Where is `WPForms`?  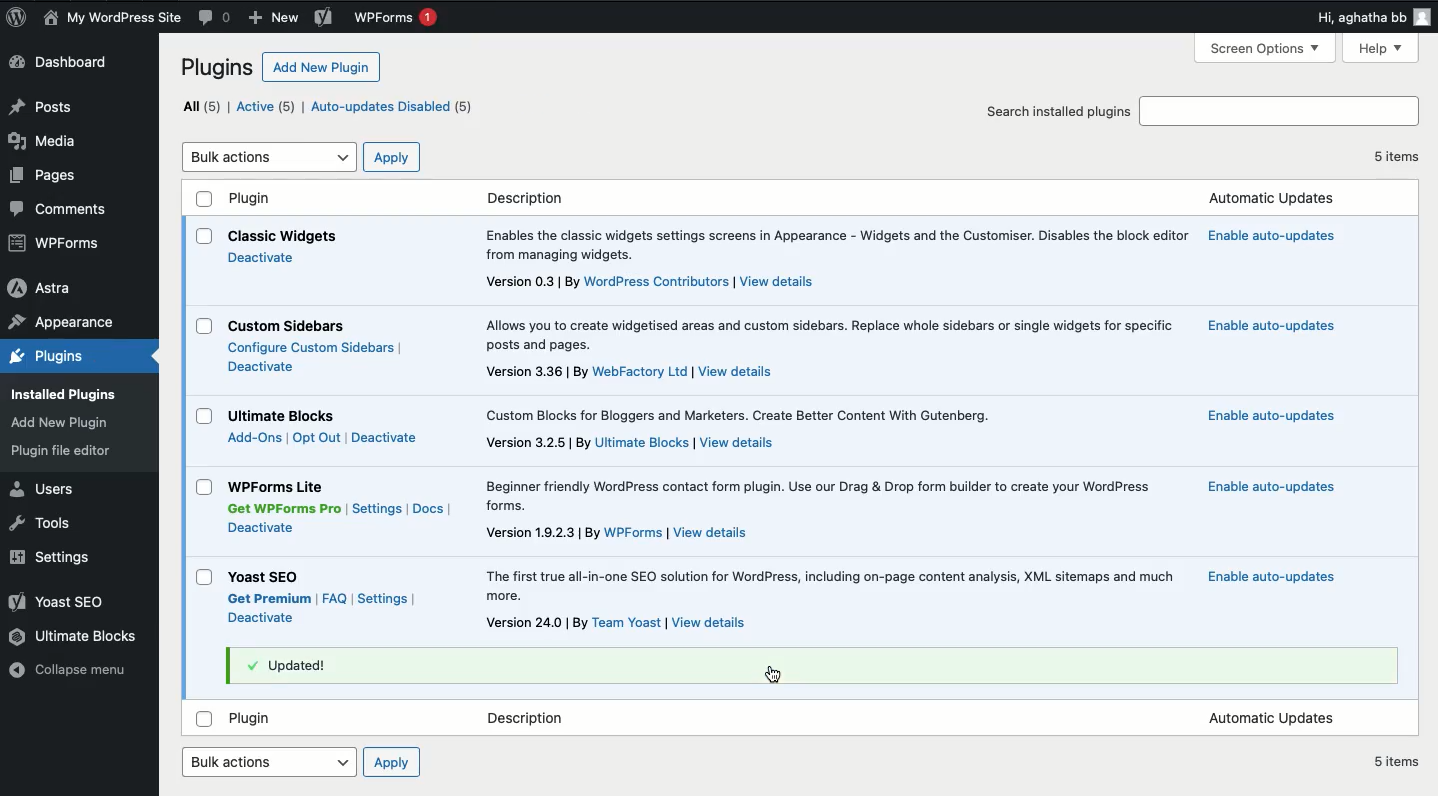
WPForms is located at coordinates (391, 18).